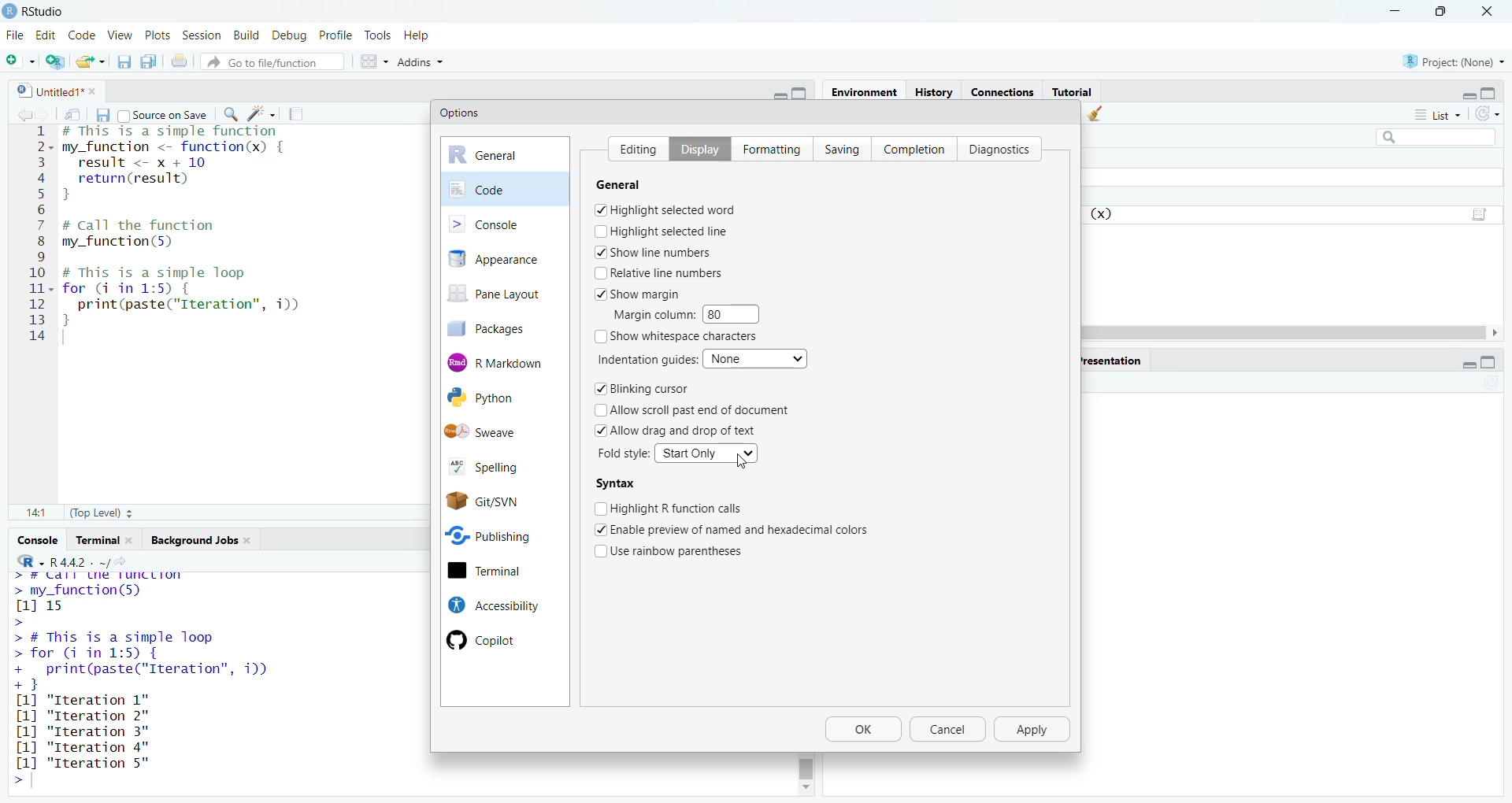 The image size is (1512, 803). Describe the element at coordinates (245, 32) in the screenshot. I see `build` at that location.